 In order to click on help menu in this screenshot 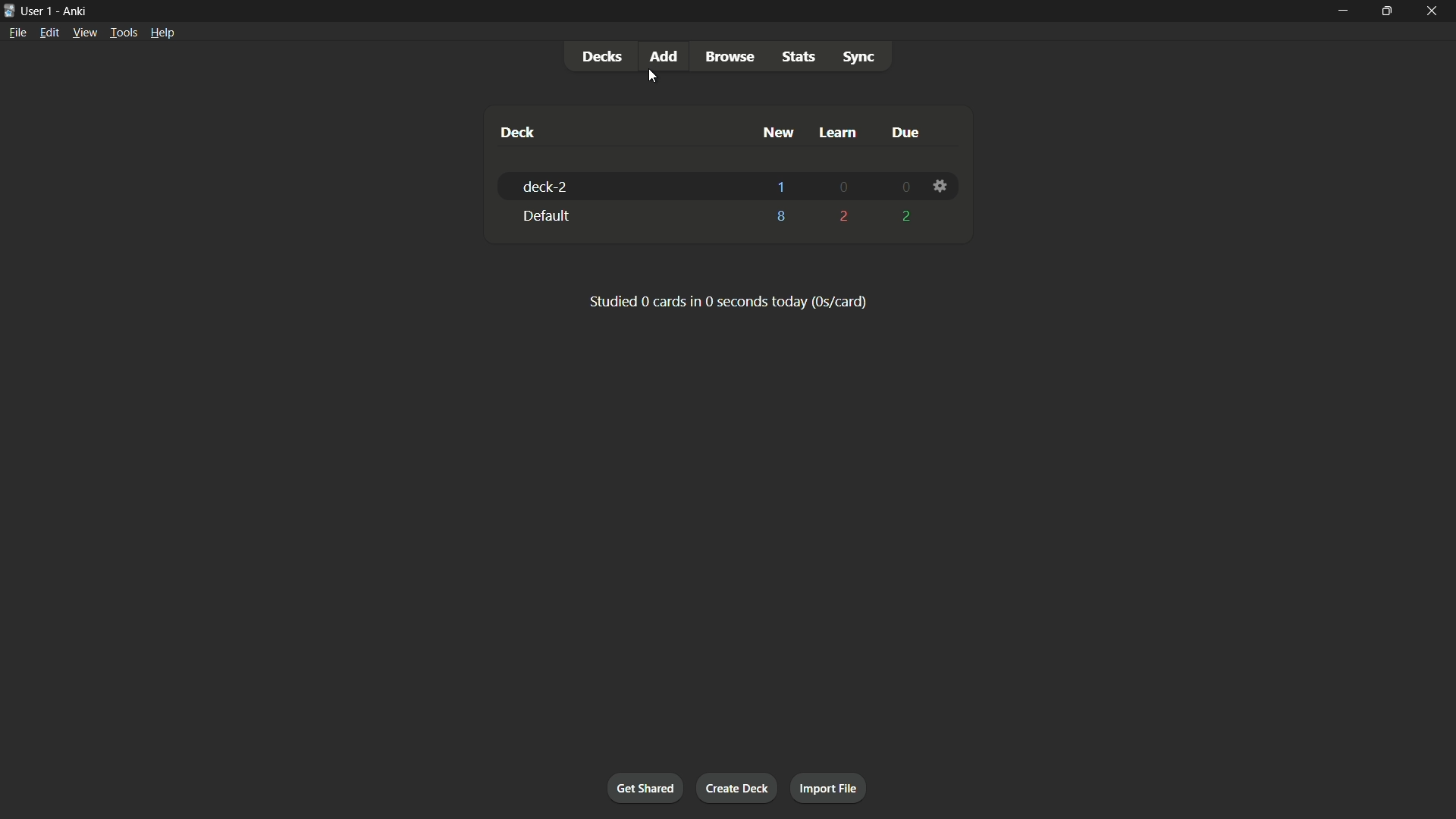, I will do `click(163, 32)`.